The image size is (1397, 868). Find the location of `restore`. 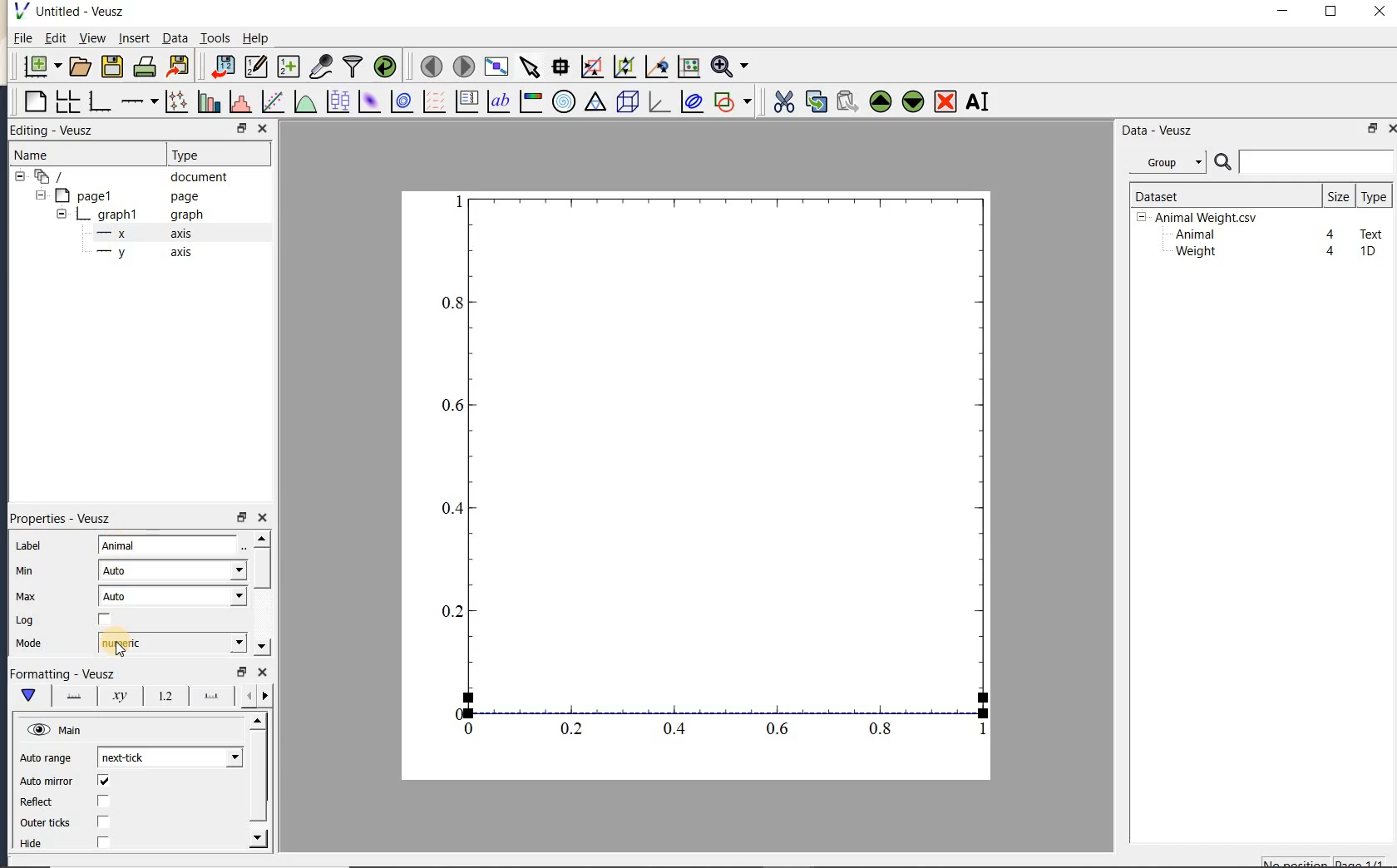

restore is located at coordinates (240, 518).